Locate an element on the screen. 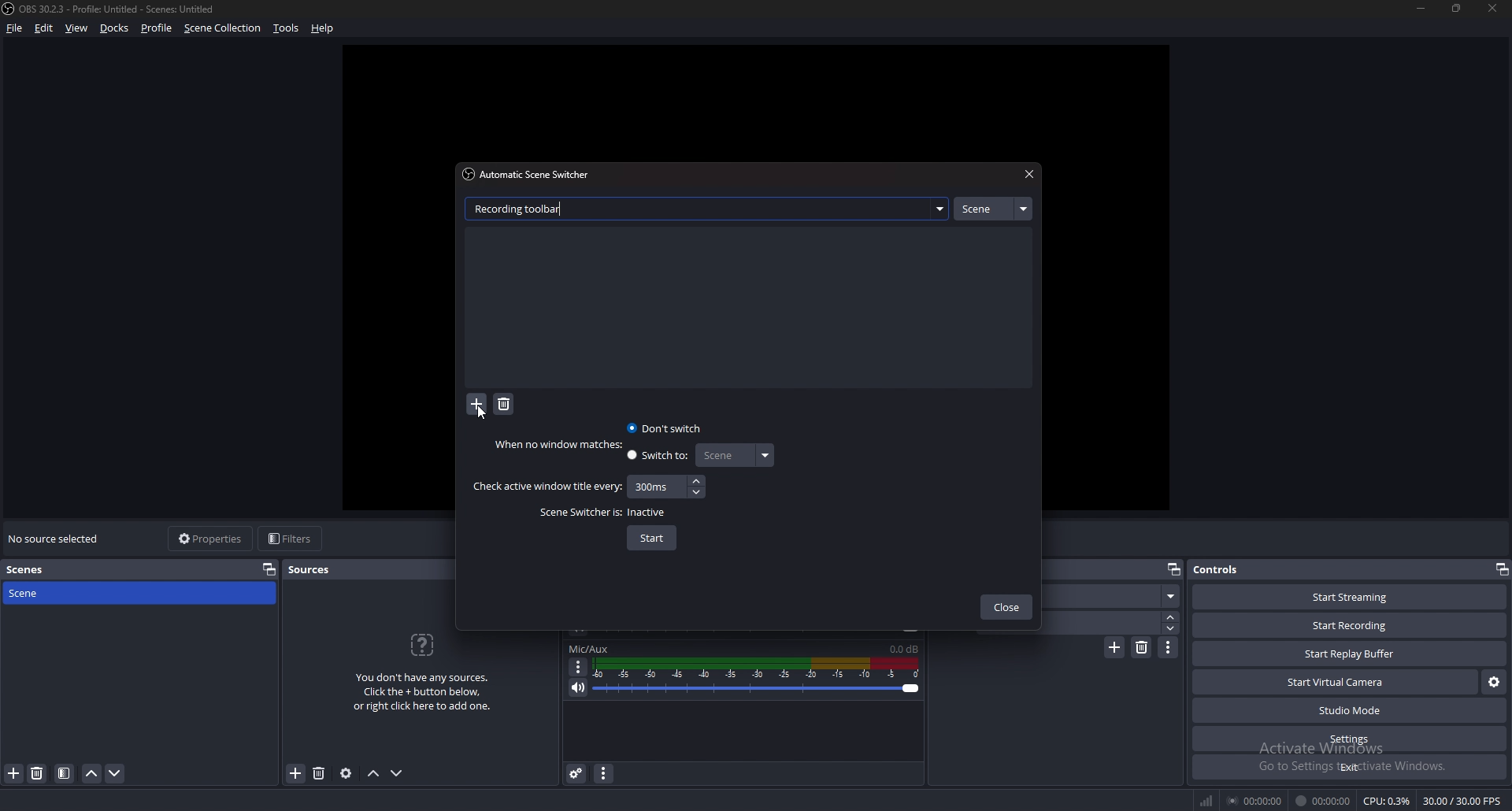 The width and height of the screenshot is (1512, 811). exit is located at coordinates (1350, 767).